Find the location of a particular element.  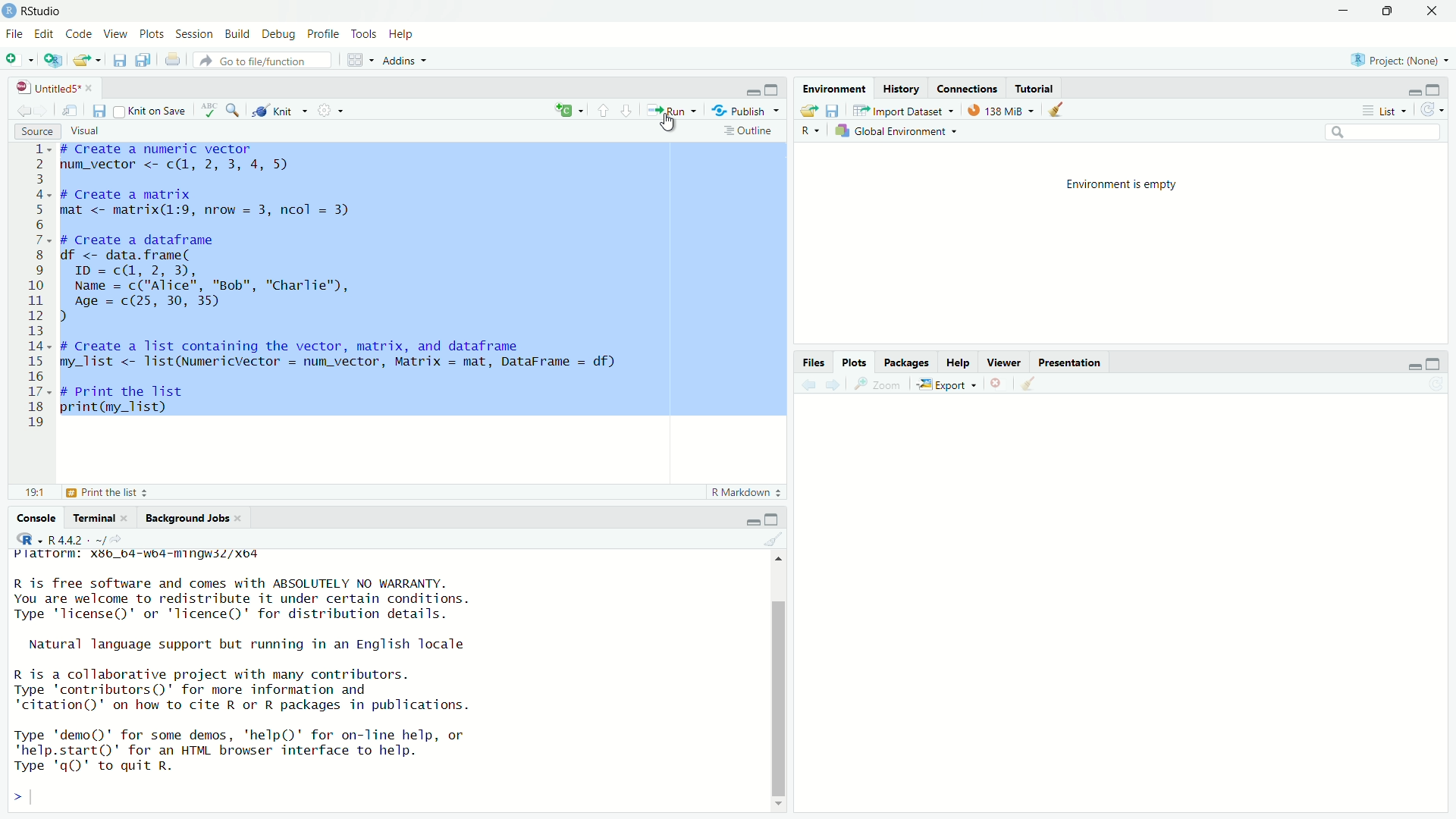

close is located at coordinates (1437, 11).